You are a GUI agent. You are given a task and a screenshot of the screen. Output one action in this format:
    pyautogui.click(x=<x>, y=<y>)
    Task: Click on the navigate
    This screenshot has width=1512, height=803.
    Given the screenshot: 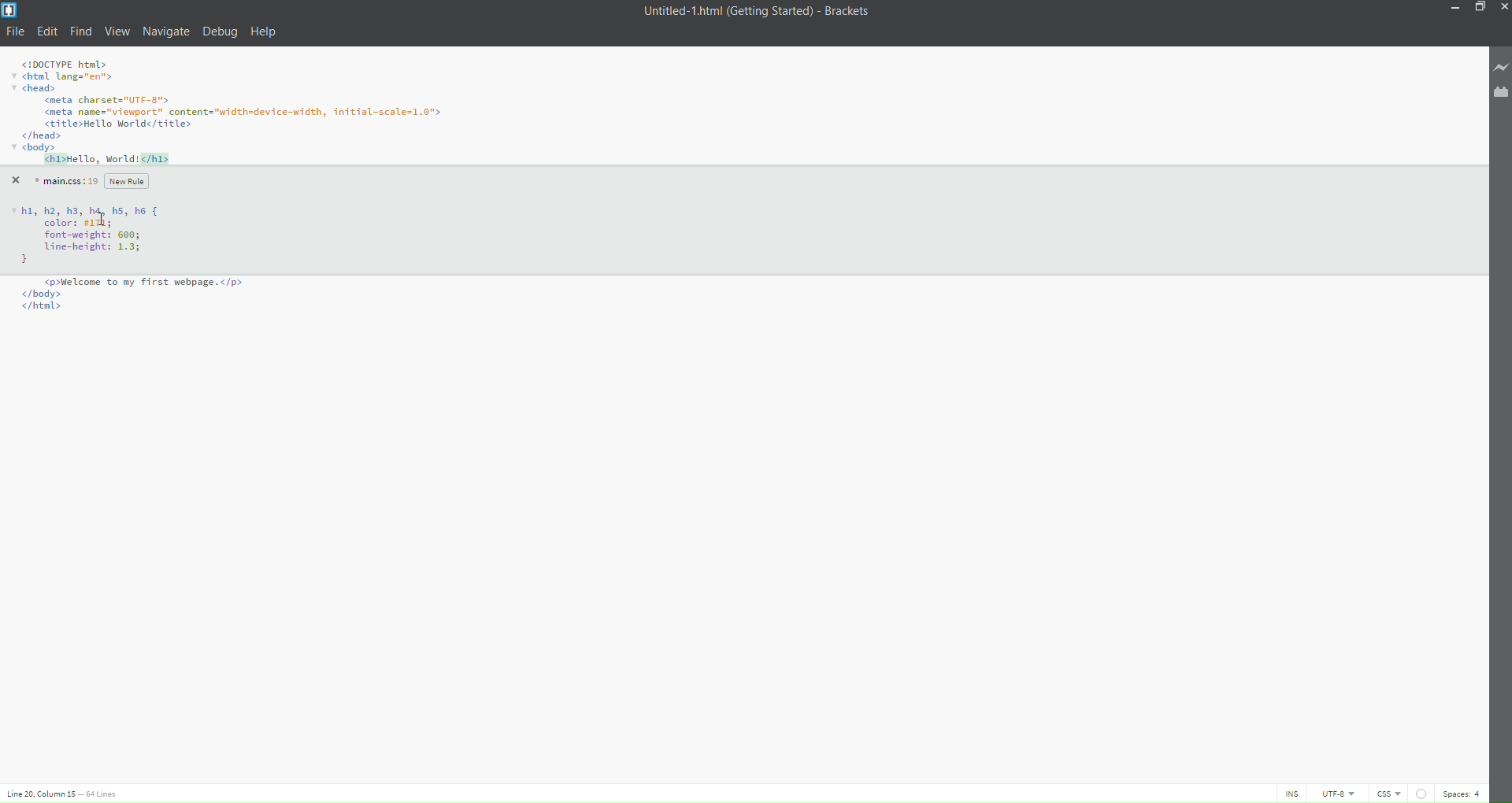 What is the action you would take?
    pyautogui.click(x=166, y=29)
    